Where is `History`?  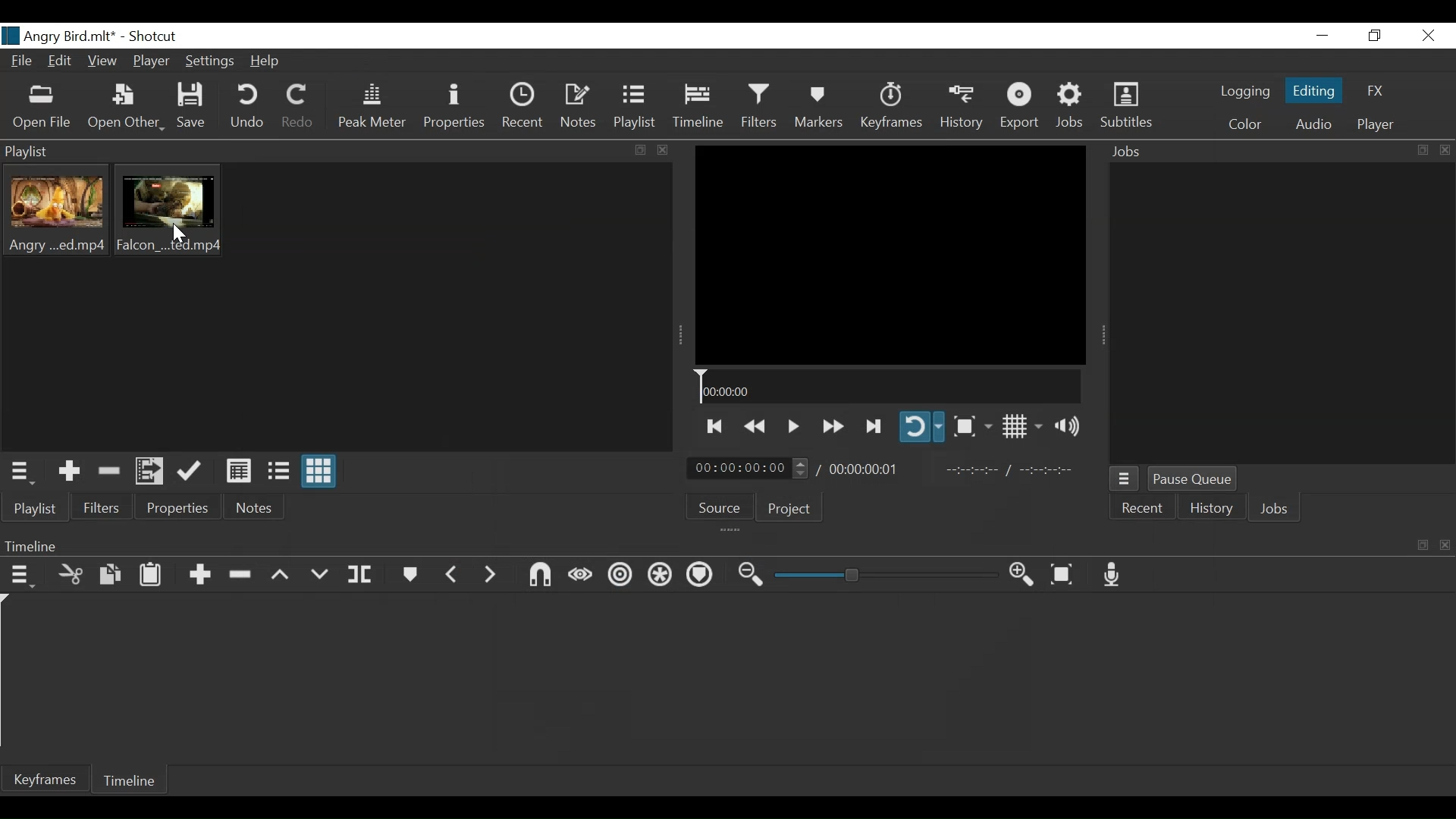 History is located at coordinates (1212, 510).